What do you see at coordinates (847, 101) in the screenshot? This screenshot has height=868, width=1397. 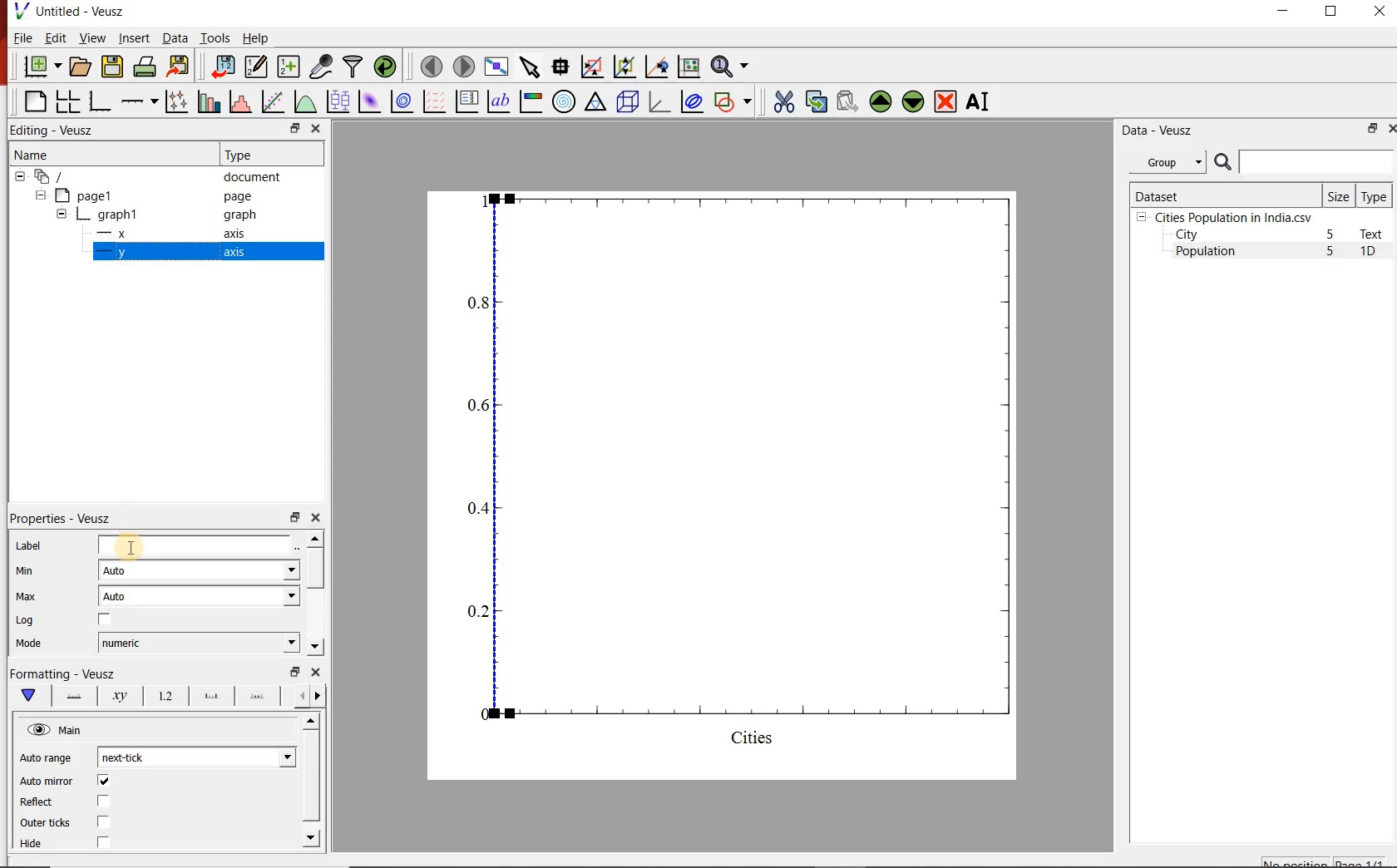 I see `paste widget from the clipboard` at bounding box center [847, 101].